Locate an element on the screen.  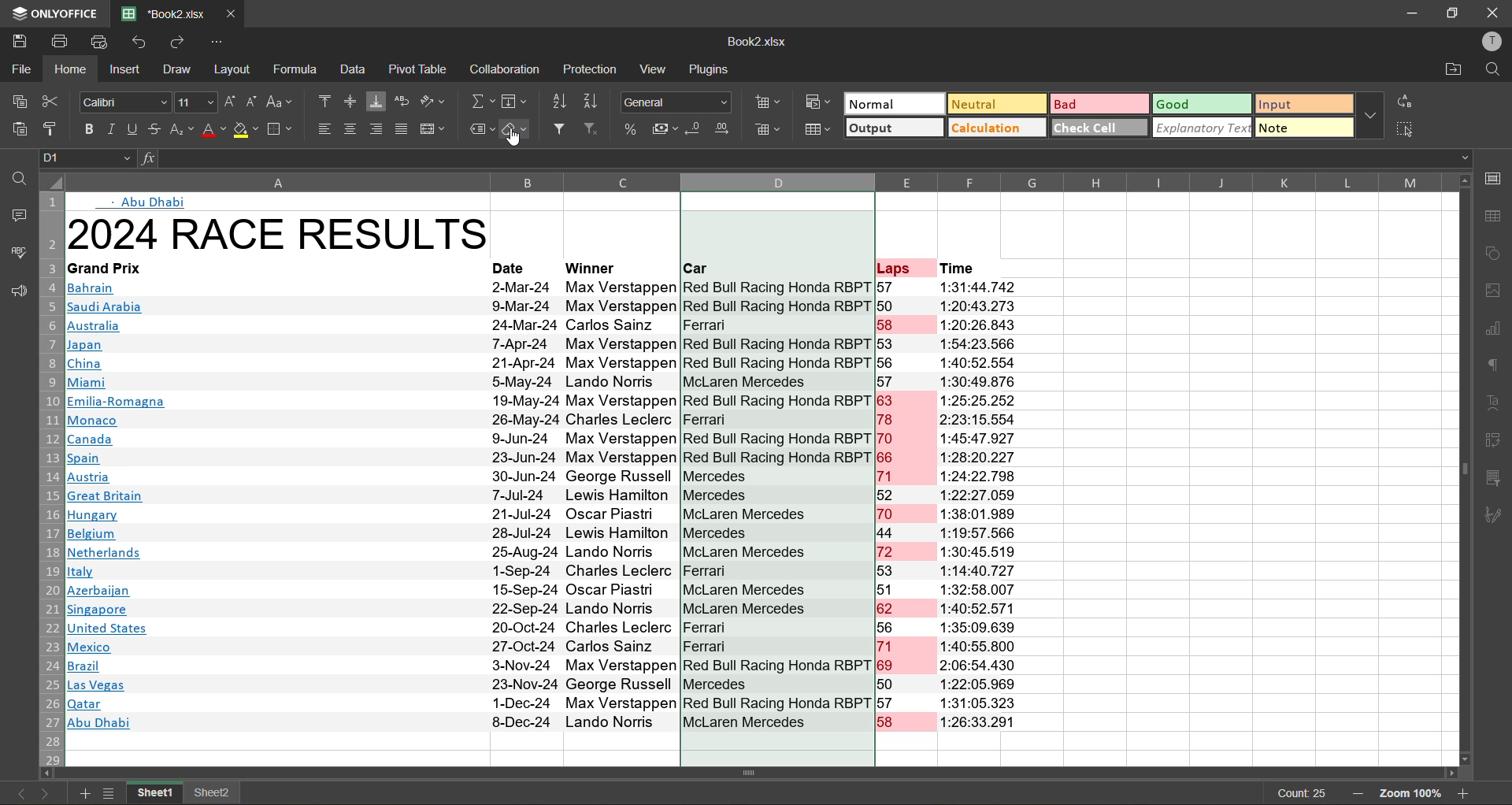
Belgium 28-Jul-24 Lewis Hamilton Mercedes 44 1:19:57.566 is located at coordinates (549, 535).